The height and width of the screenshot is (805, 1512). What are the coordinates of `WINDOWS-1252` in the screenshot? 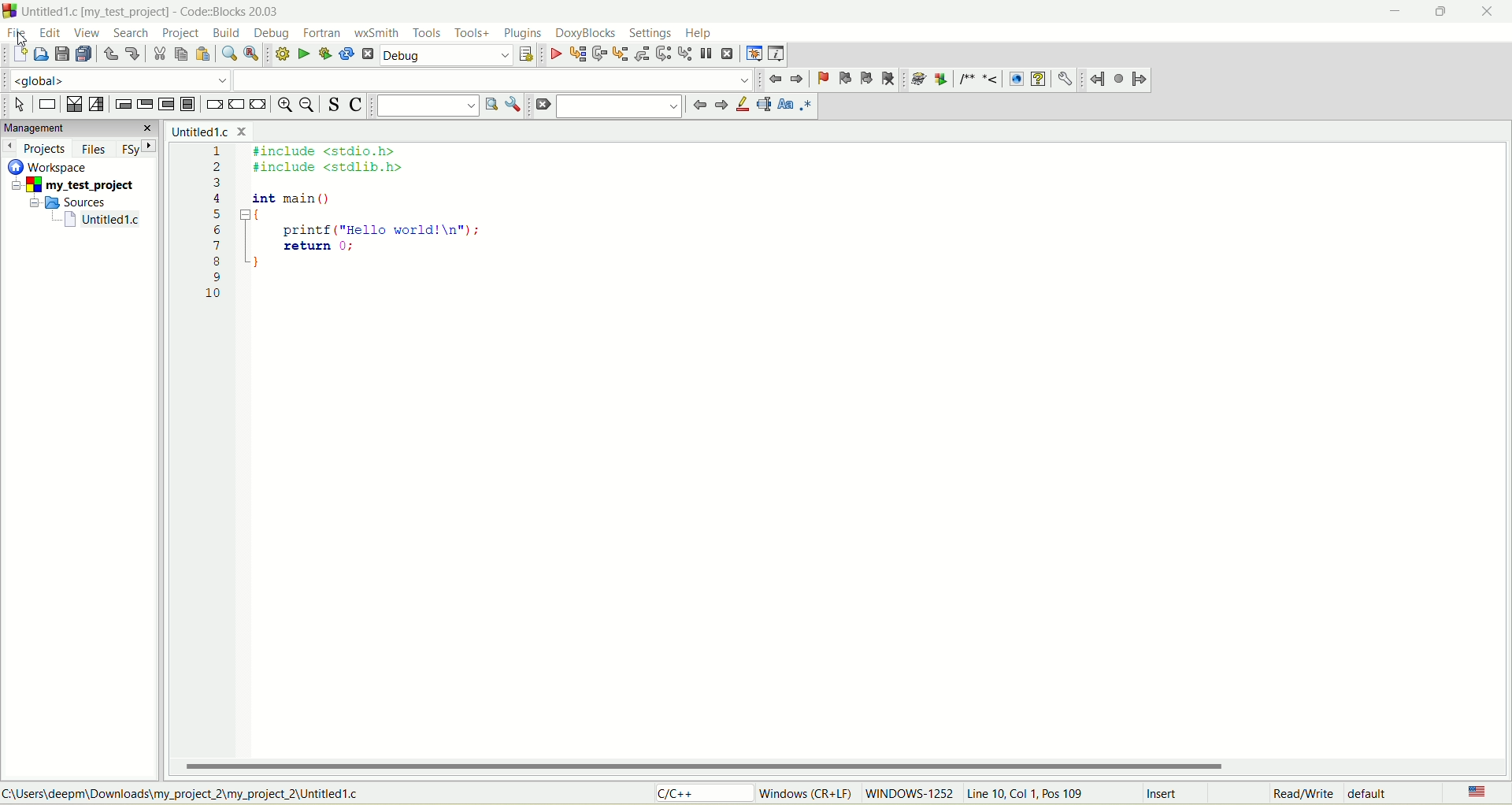 It's located at (908, 796).